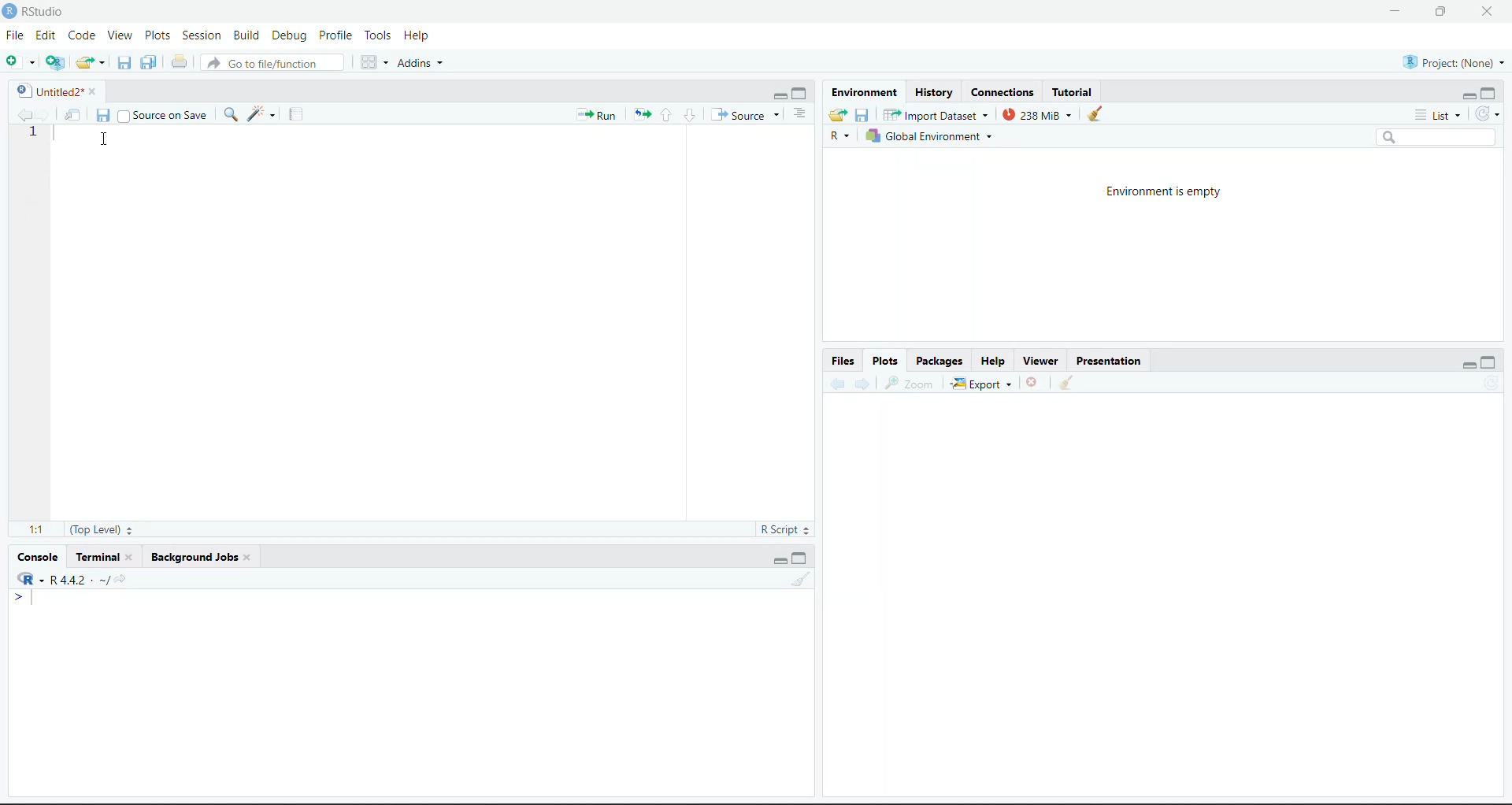 This screenshot has width=1512, height=805. I want to click on search file, so click(271, 63).